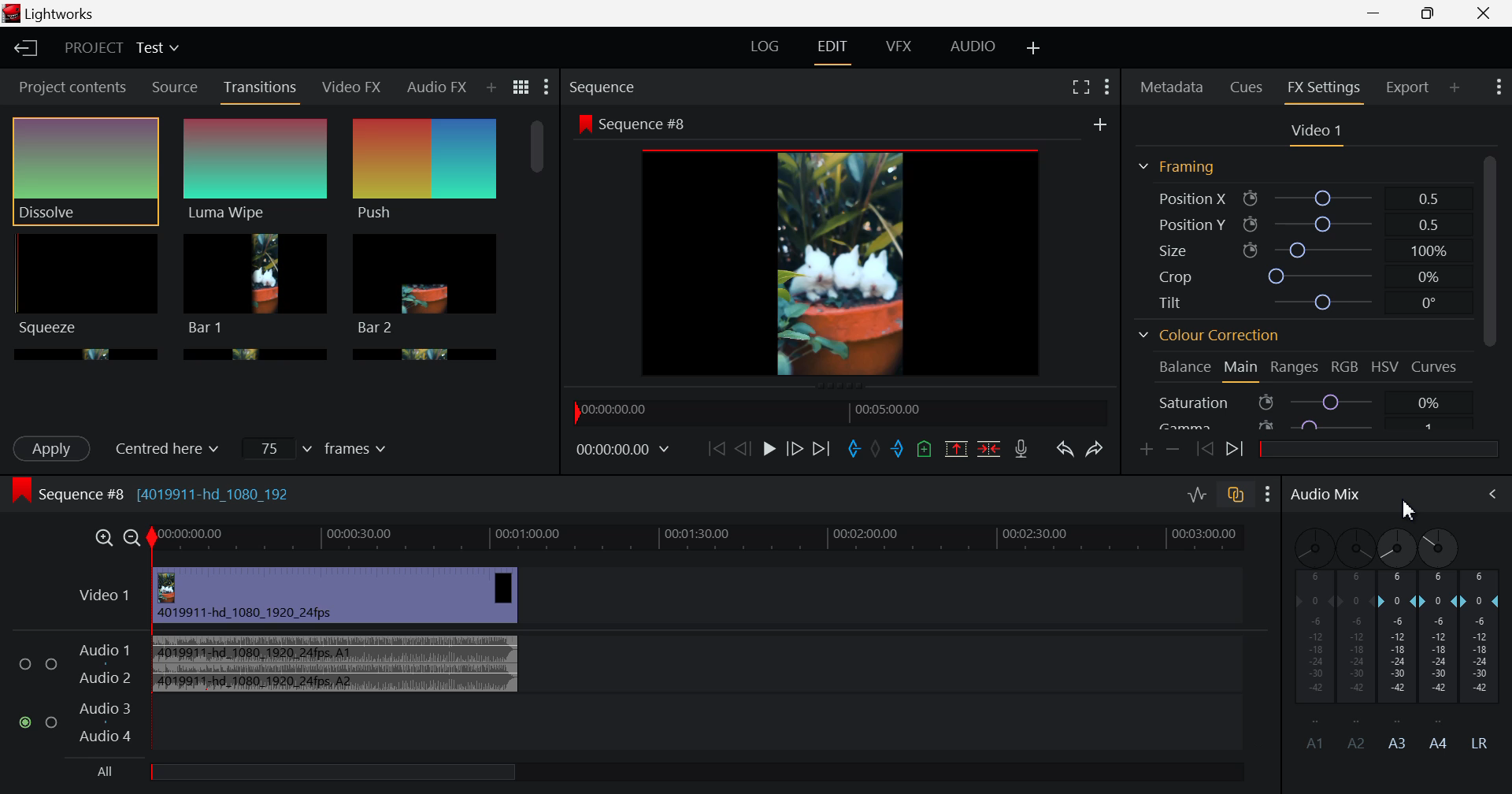  What do you see at coordinates (261, 92) in the screenshot?
I see `Transitions Panel Open` at bounding box center [261, 92].